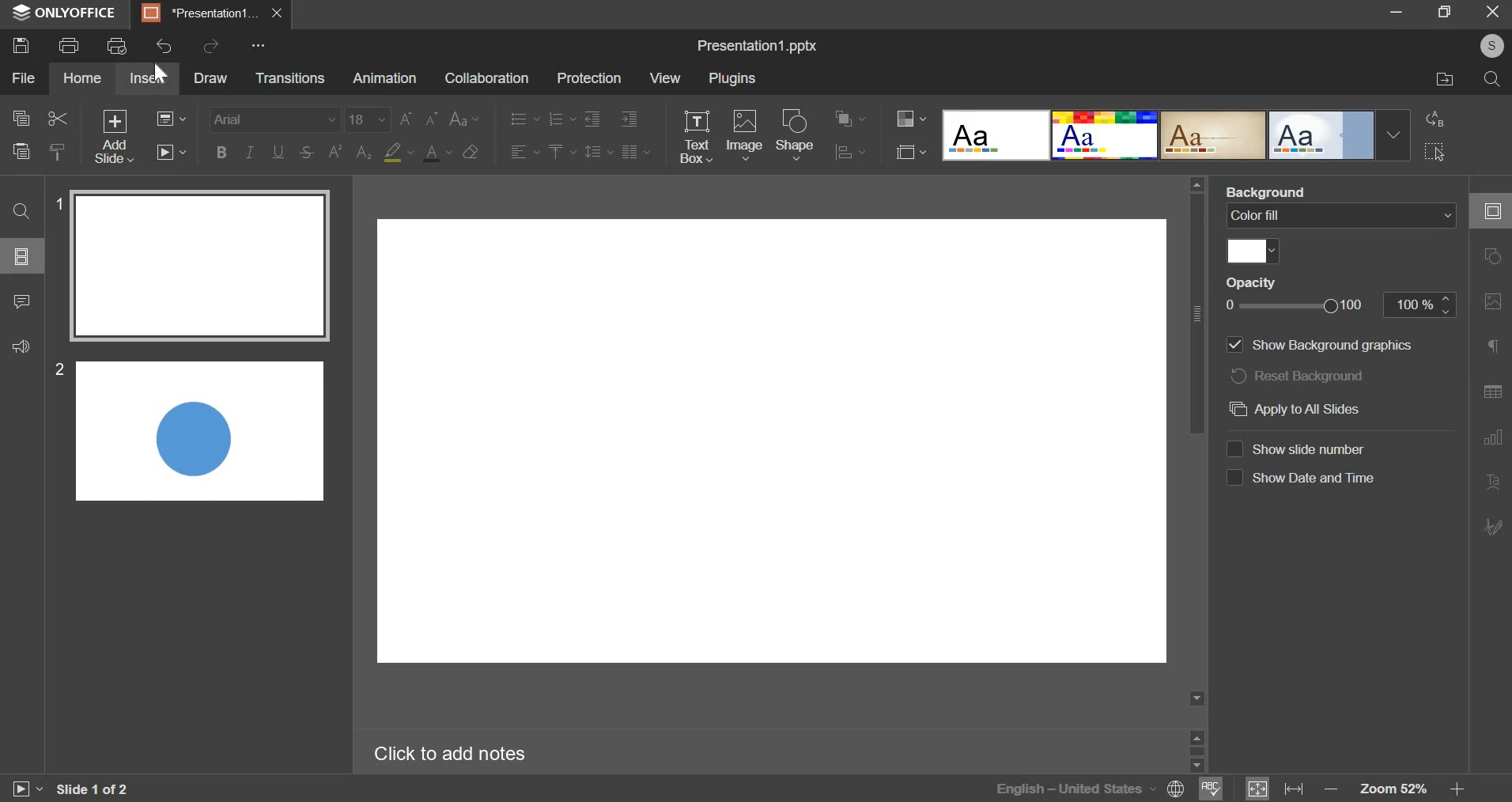  I want to click on Image settings, so click(1494, 301).